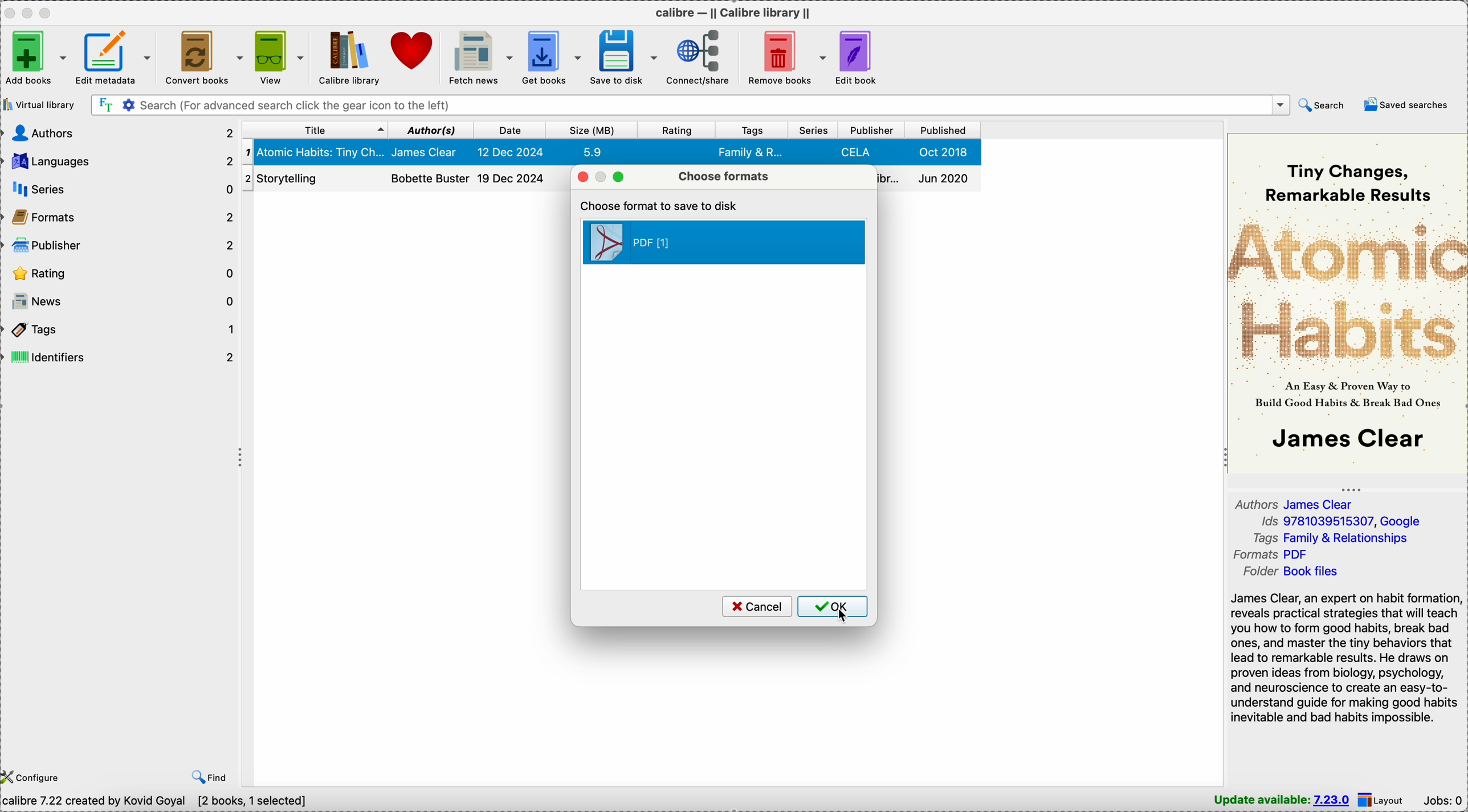 This screenshot has width=1468, height=812. What do you see at coordinates (1331, 537) in the screenshot?
I see `tags Family & Relationships` at bounding box center [1331, 537].